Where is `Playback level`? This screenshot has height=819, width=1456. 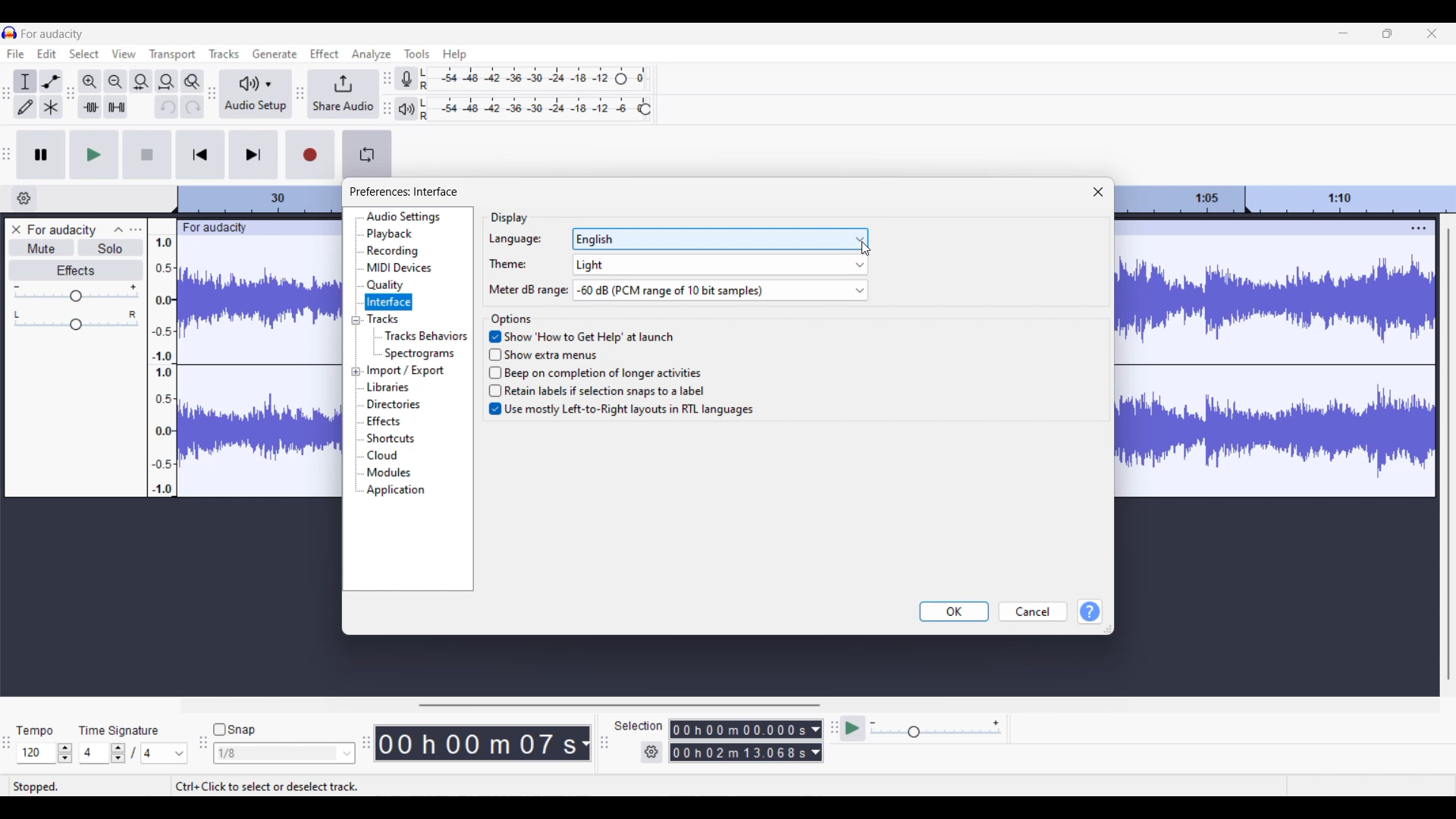 Playback level is located at coordinates (529, 109).